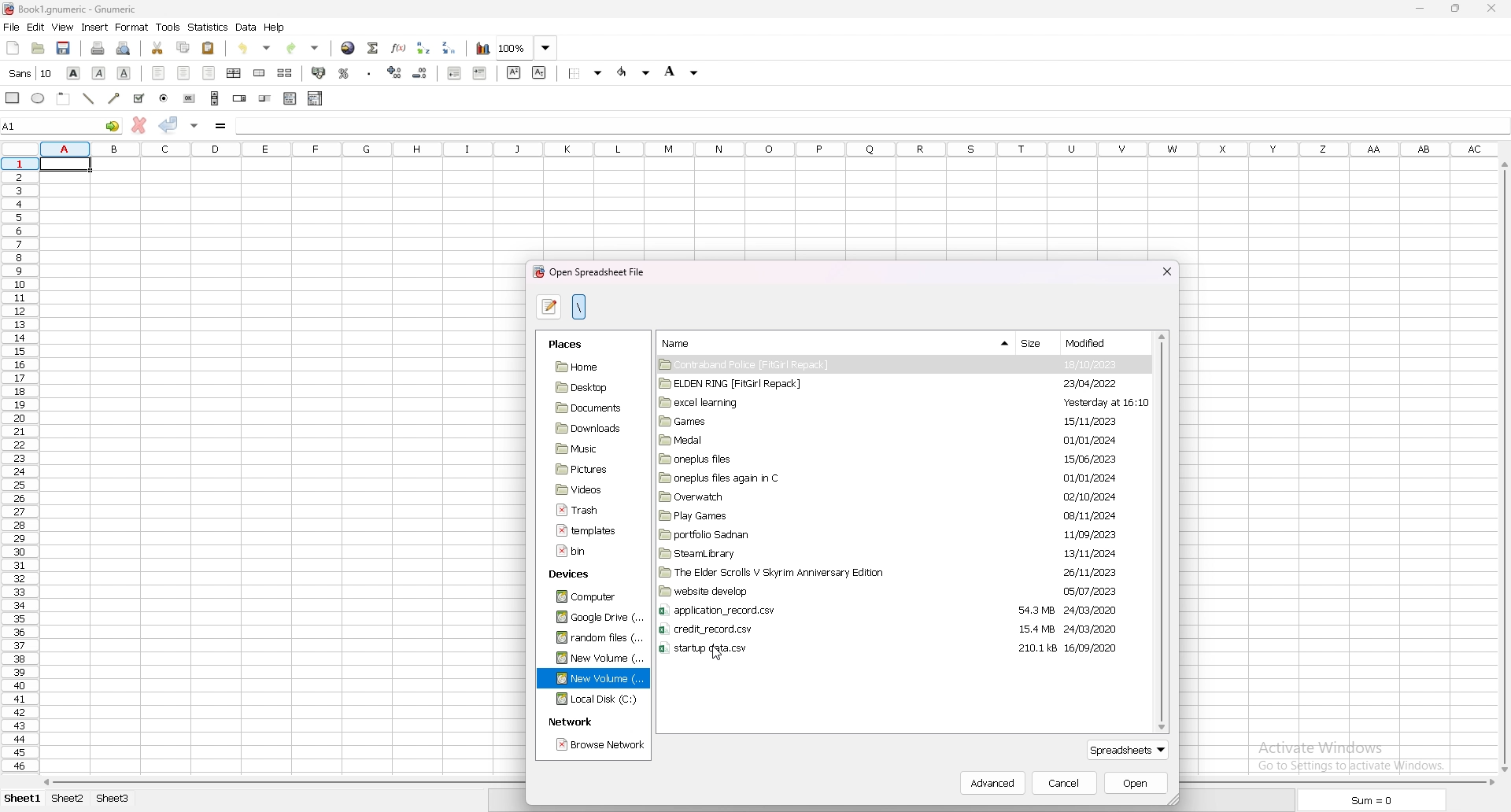 The width and height of the screenshot is (1511, 812). What do you see at coordinates (276, 27) in the screenshot?
I see `help` at bounding box center [276, 27].